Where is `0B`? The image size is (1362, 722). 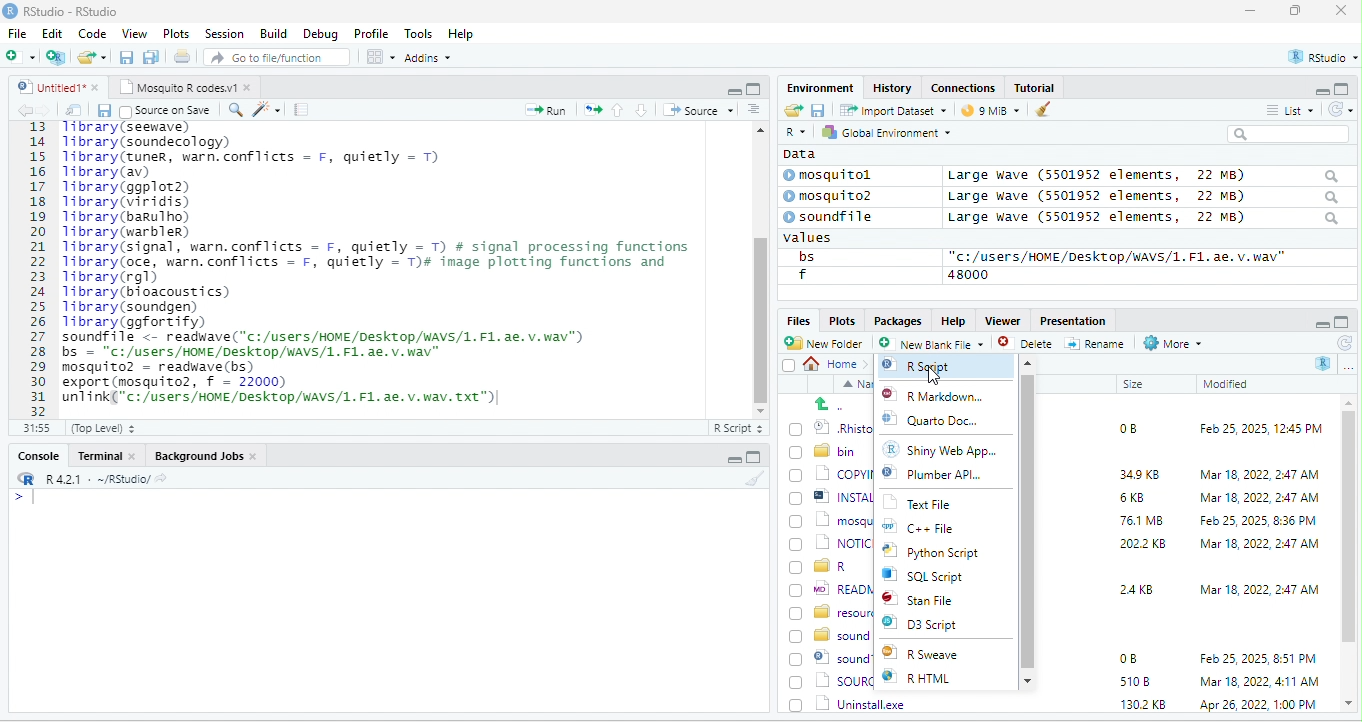 0B is located at coordinates (1121, 426).